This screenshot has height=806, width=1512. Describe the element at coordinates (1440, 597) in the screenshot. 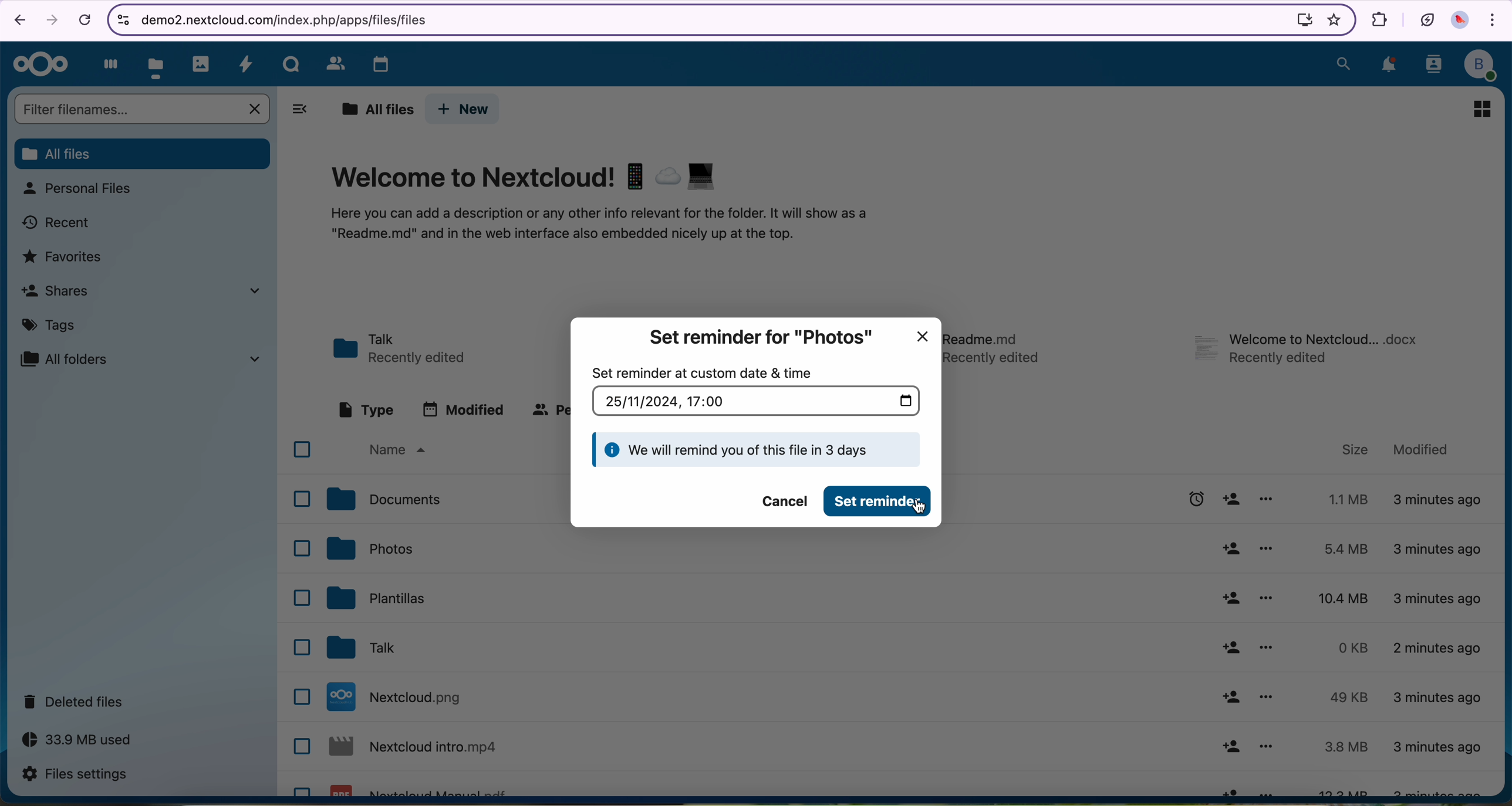

I see `2 minutes ago` at that location.